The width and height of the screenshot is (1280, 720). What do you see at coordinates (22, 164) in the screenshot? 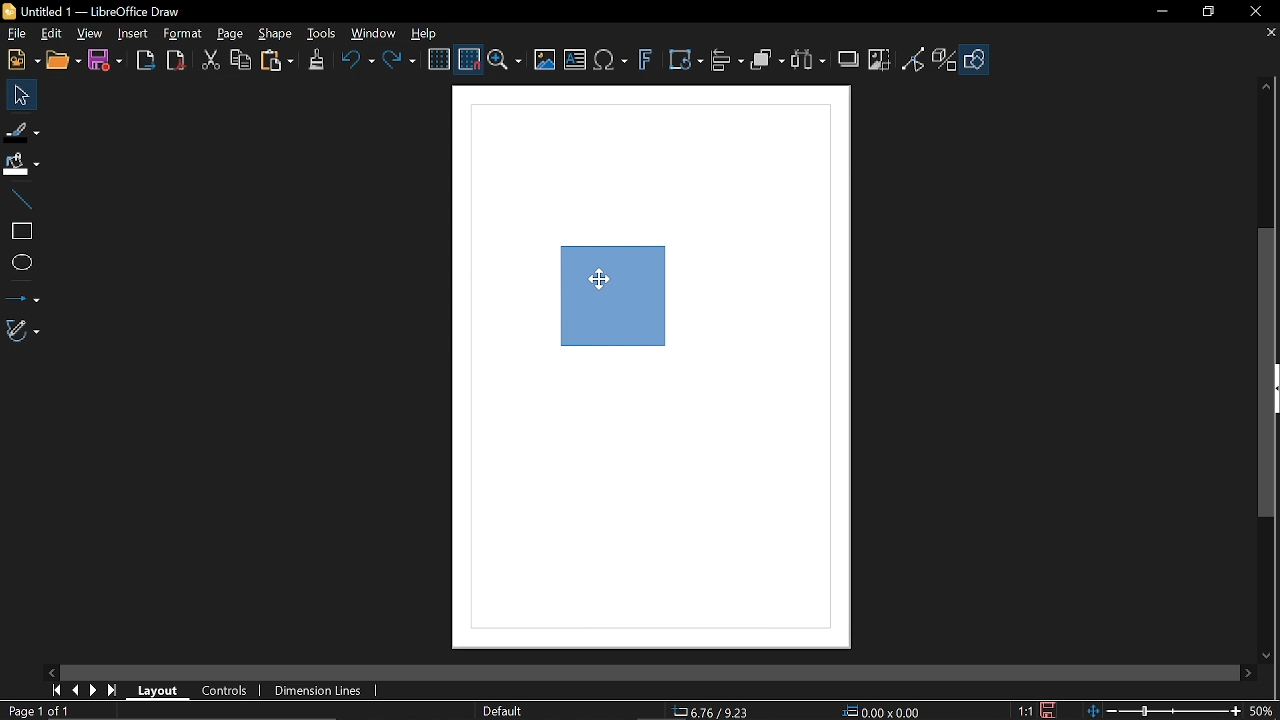
I see `Fill color` at bounding box center [22, 164].